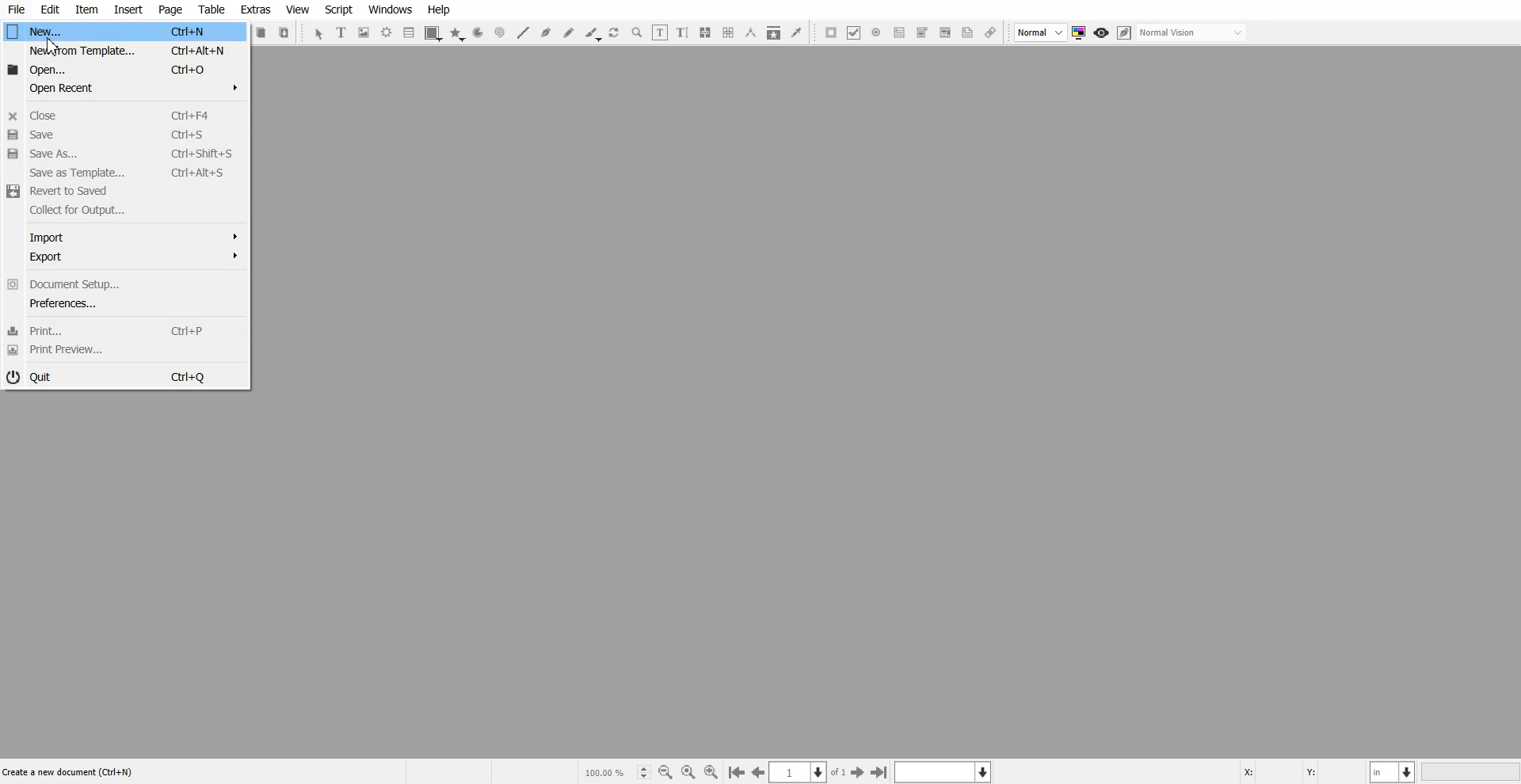 This screenshot has width=1521, height=784. I want to click on Revert to Saved, so click(123, 192).